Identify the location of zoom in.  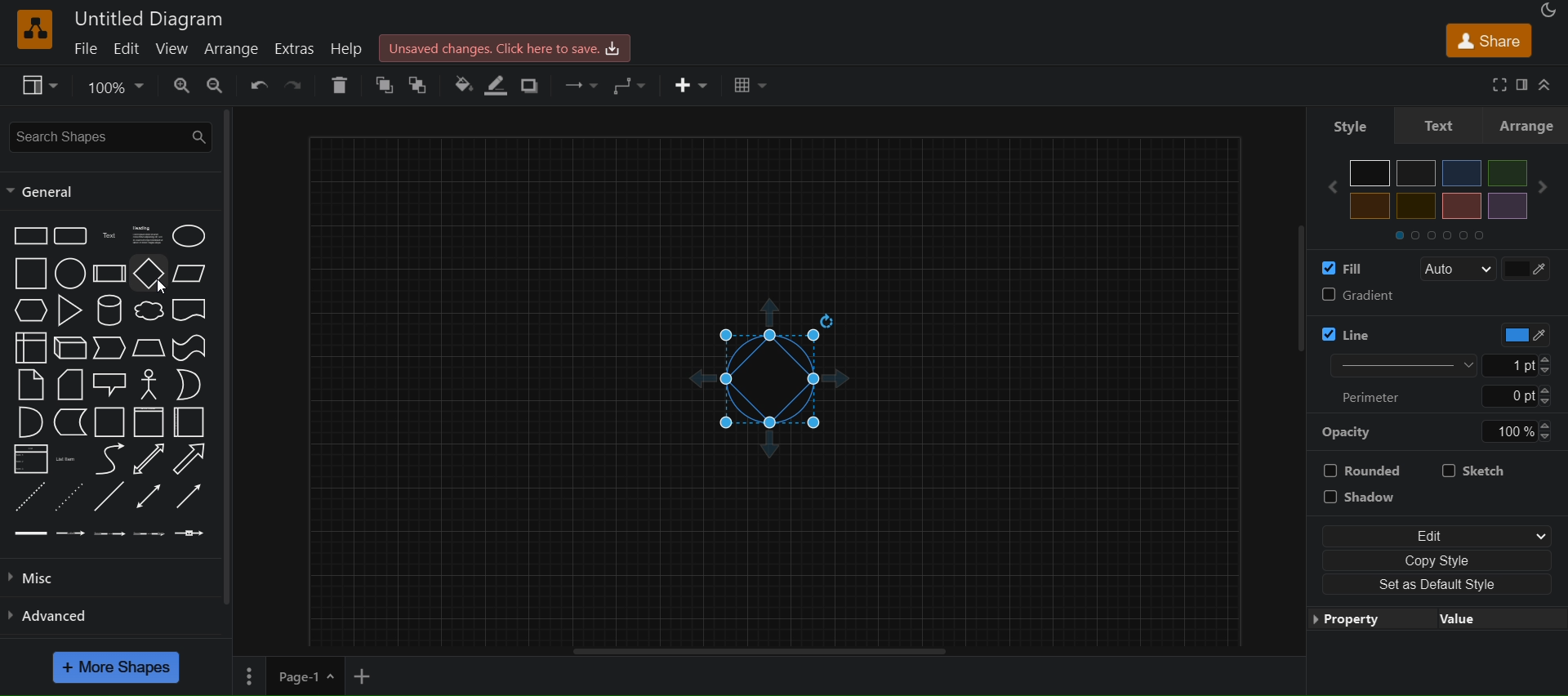
(181, 86).